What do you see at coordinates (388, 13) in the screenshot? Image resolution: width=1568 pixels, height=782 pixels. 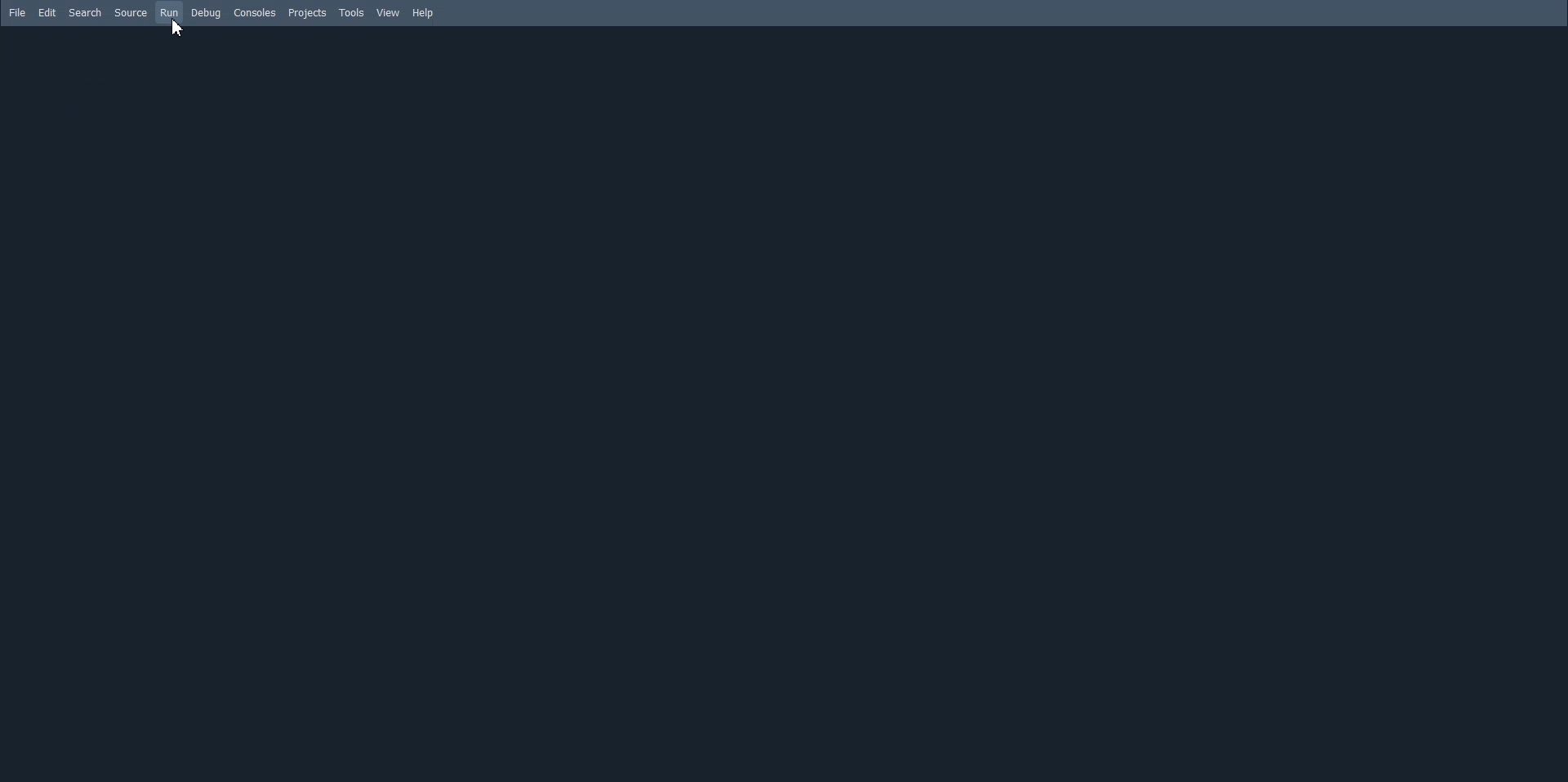 I see `View` at bounding box center [388, 13].